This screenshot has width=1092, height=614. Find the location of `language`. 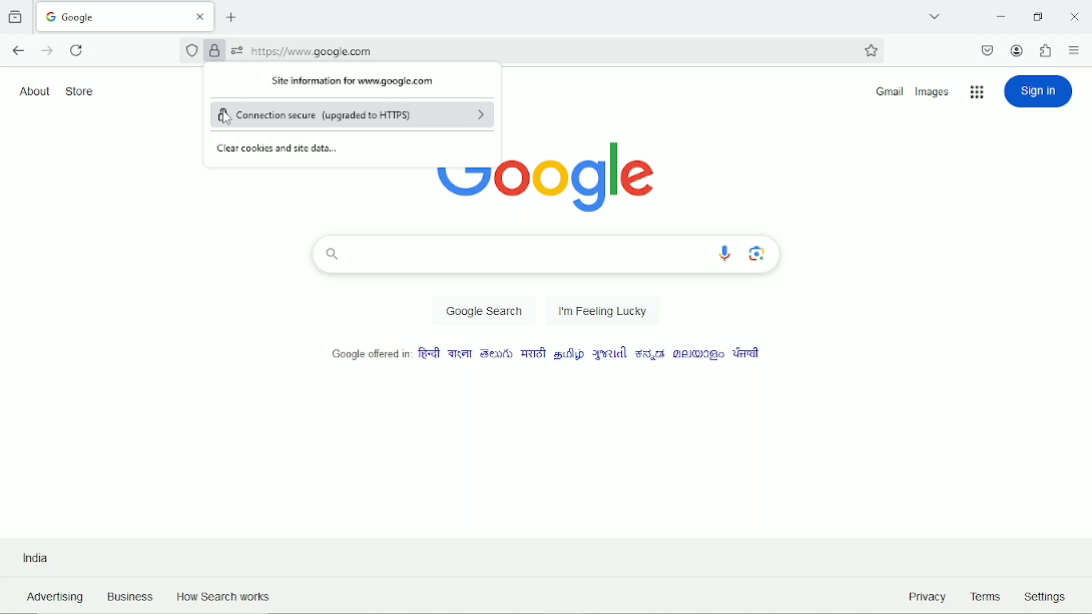

language is located at coordinates (696, 356).